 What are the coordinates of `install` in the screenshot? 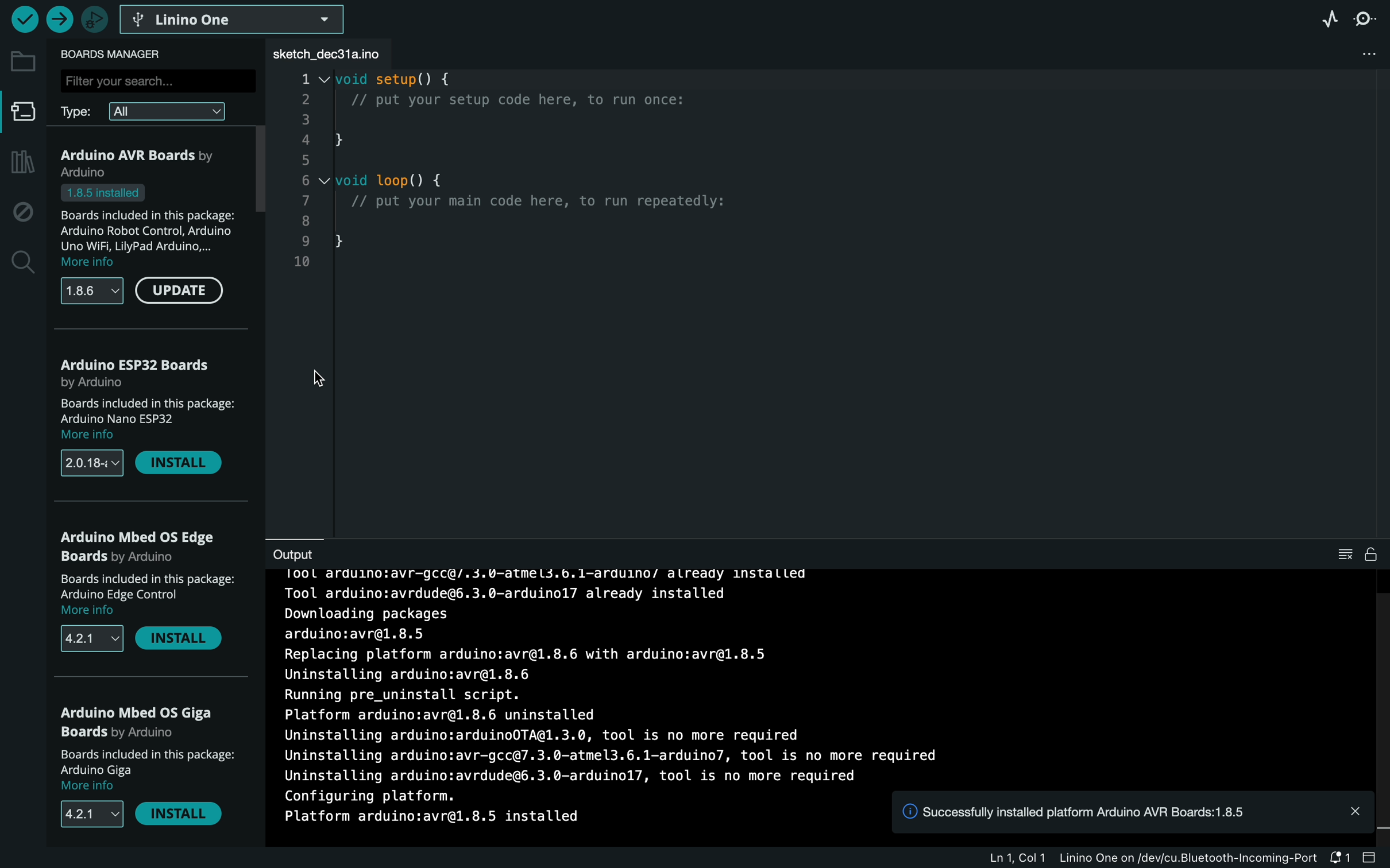 It's located at (179, 464).